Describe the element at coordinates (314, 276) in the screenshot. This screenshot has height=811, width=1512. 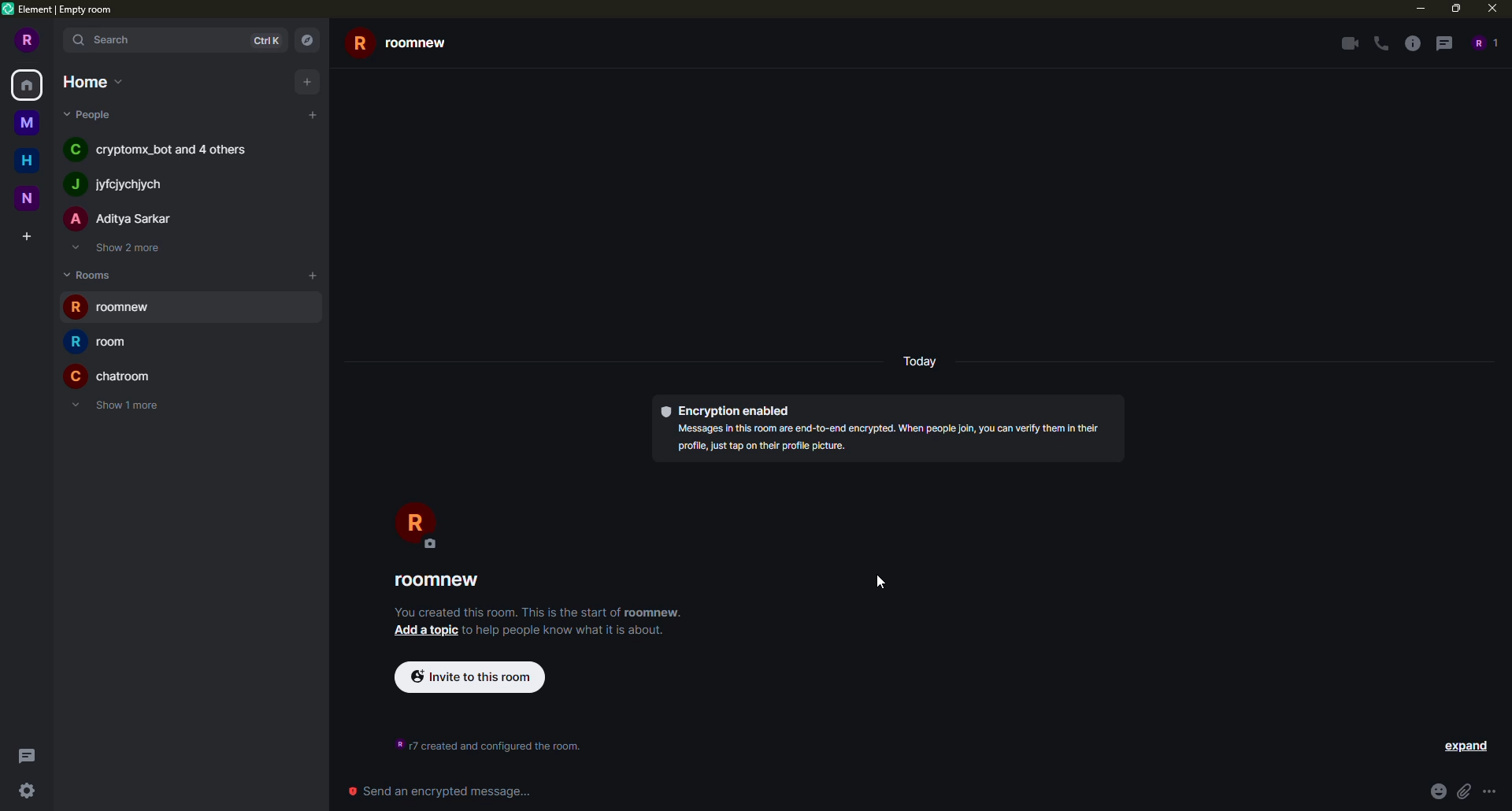
I see `add` at that location.